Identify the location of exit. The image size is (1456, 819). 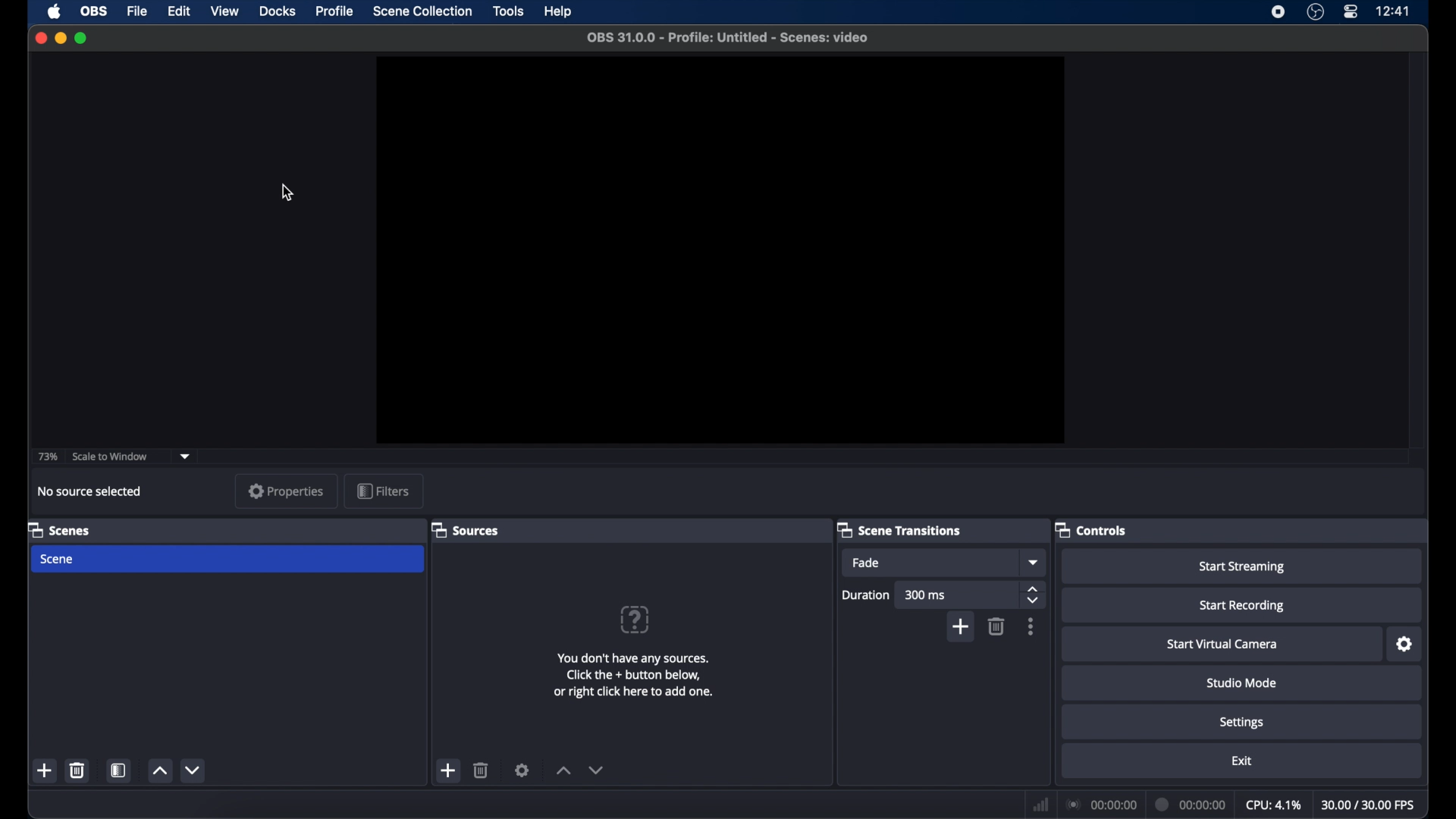
(1247, 762).